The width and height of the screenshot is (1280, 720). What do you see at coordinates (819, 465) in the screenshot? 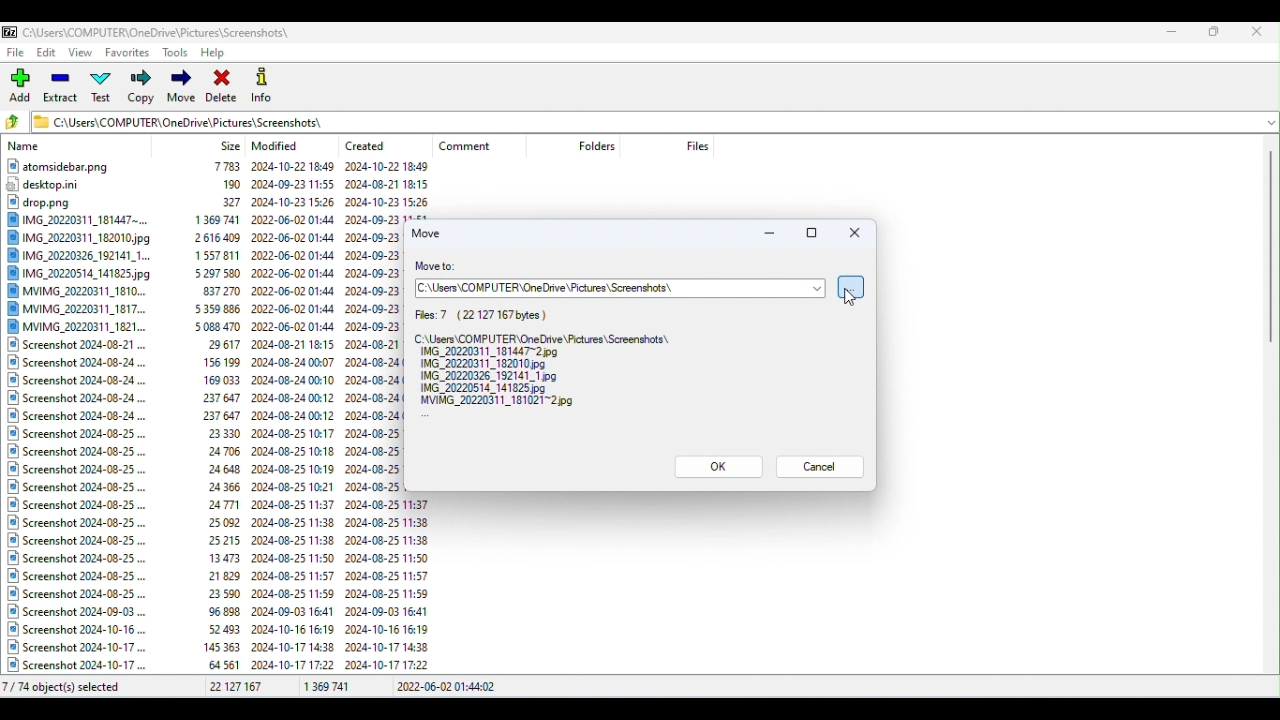
I see `Cancel` at bounding box center [819, 465].